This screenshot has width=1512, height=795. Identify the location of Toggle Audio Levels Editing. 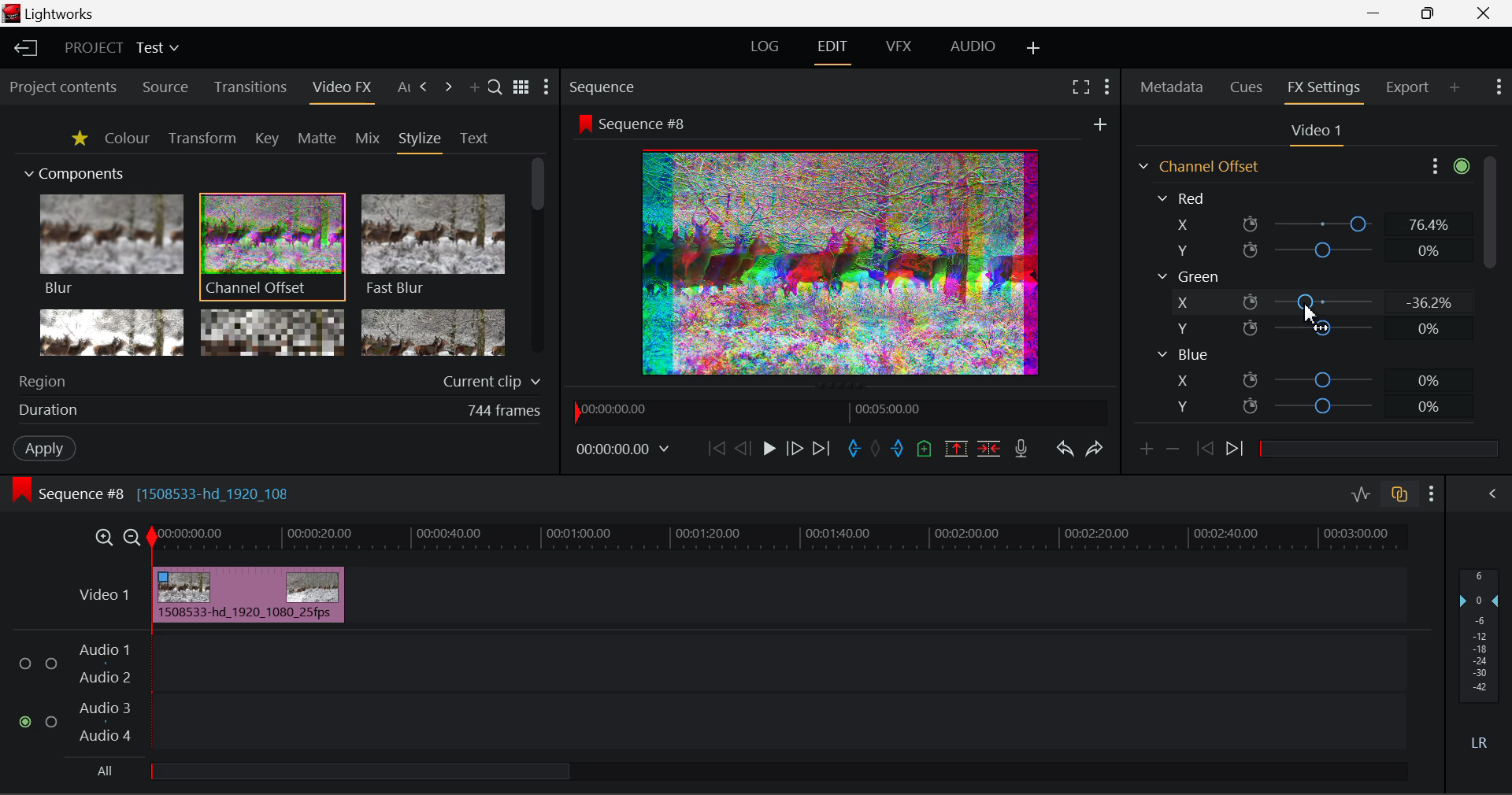
(1362, 495).